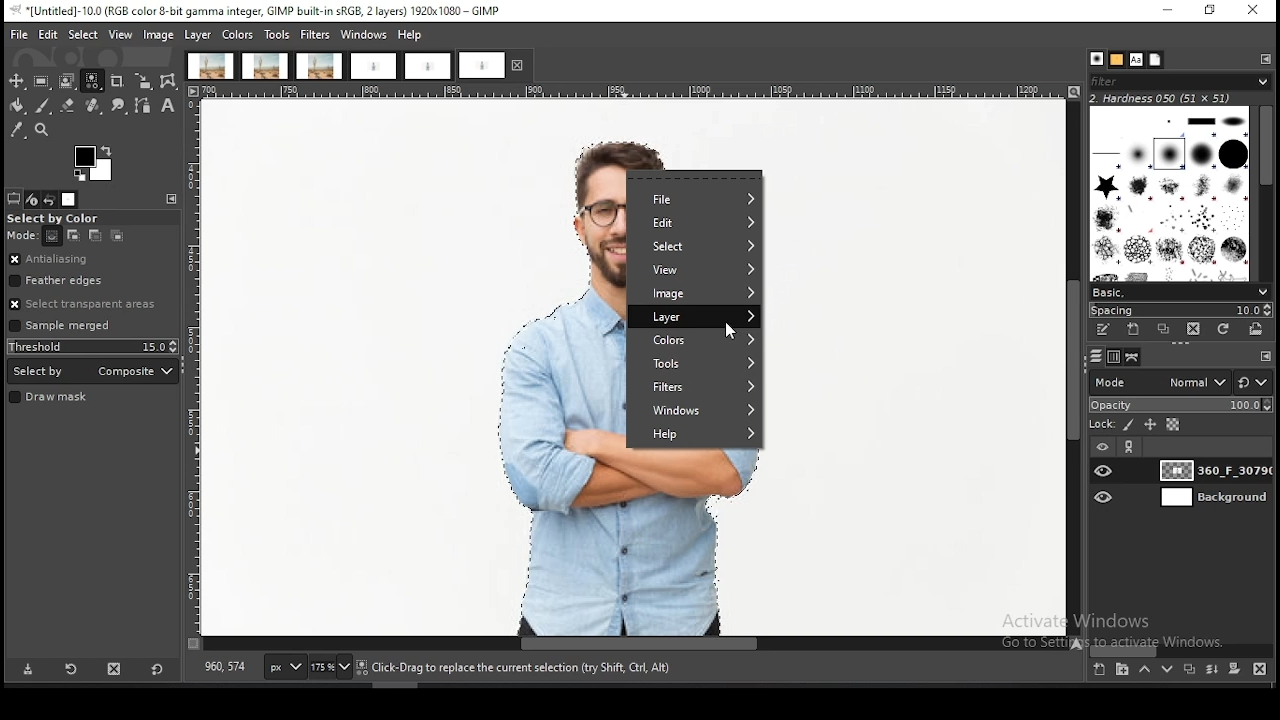 The width and height of the screenshot is (1280, 720). I want to click on save tool preset, so click(27, 669).